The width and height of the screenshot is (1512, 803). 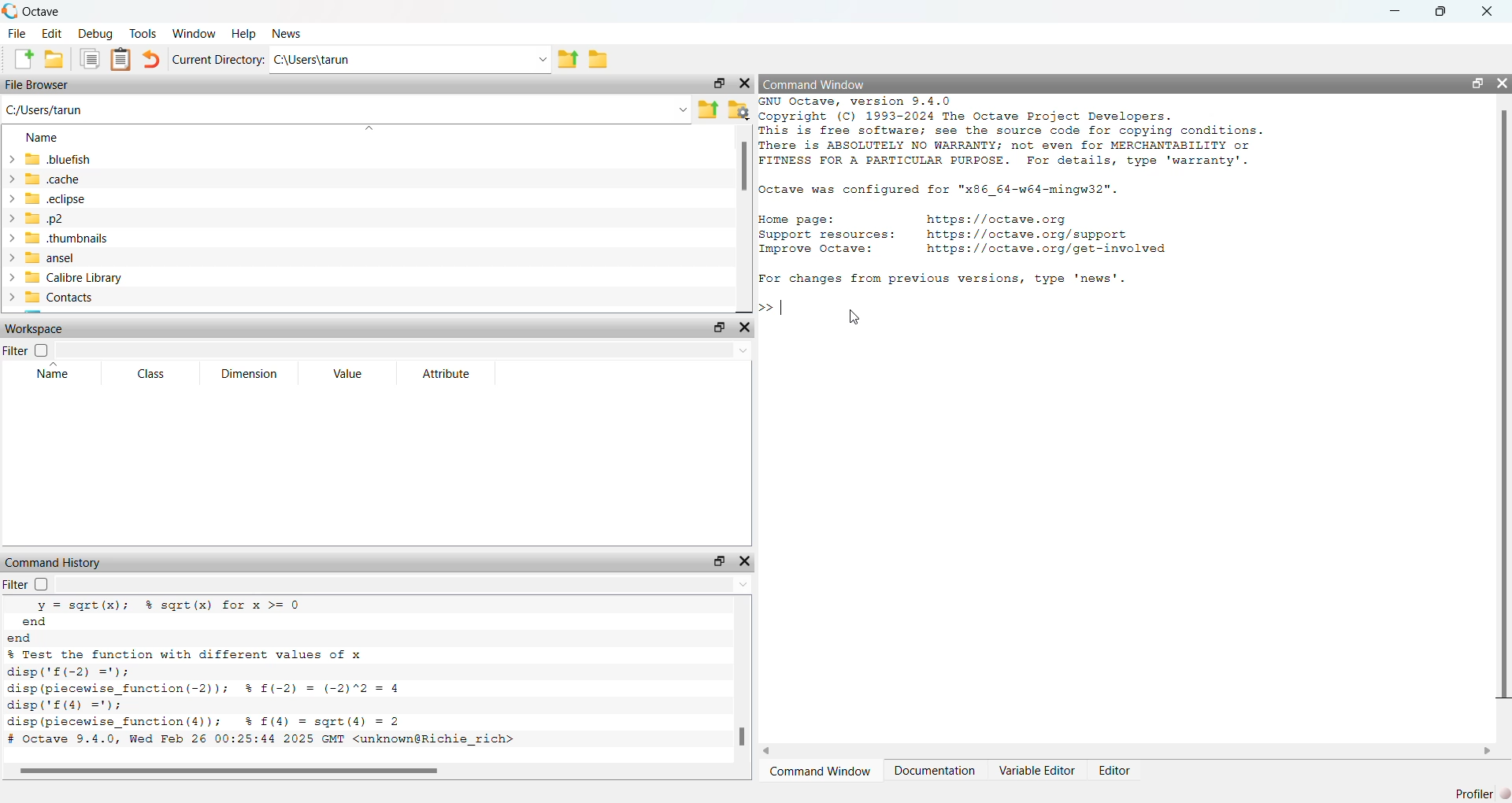 I want to click on Command History, so click(x=53, y=559).